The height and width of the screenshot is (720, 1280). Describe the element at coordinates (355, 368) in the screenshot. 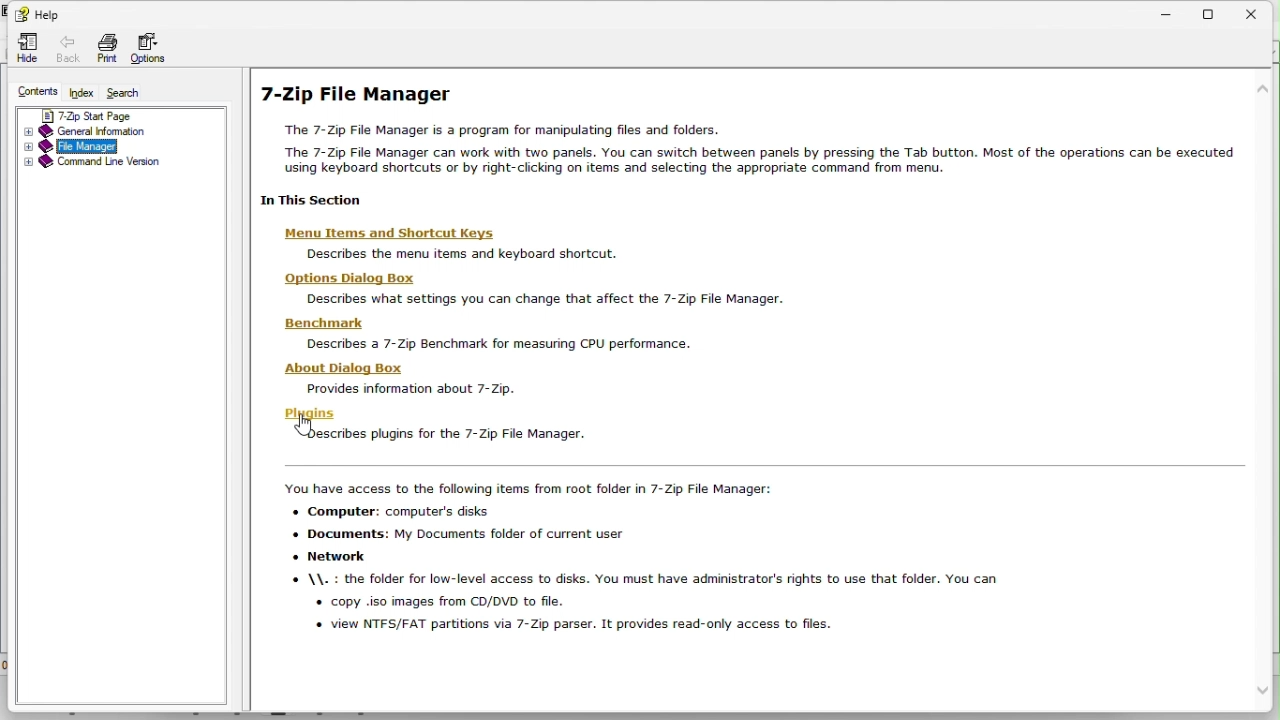

I see `About Dialog Box` at that location.